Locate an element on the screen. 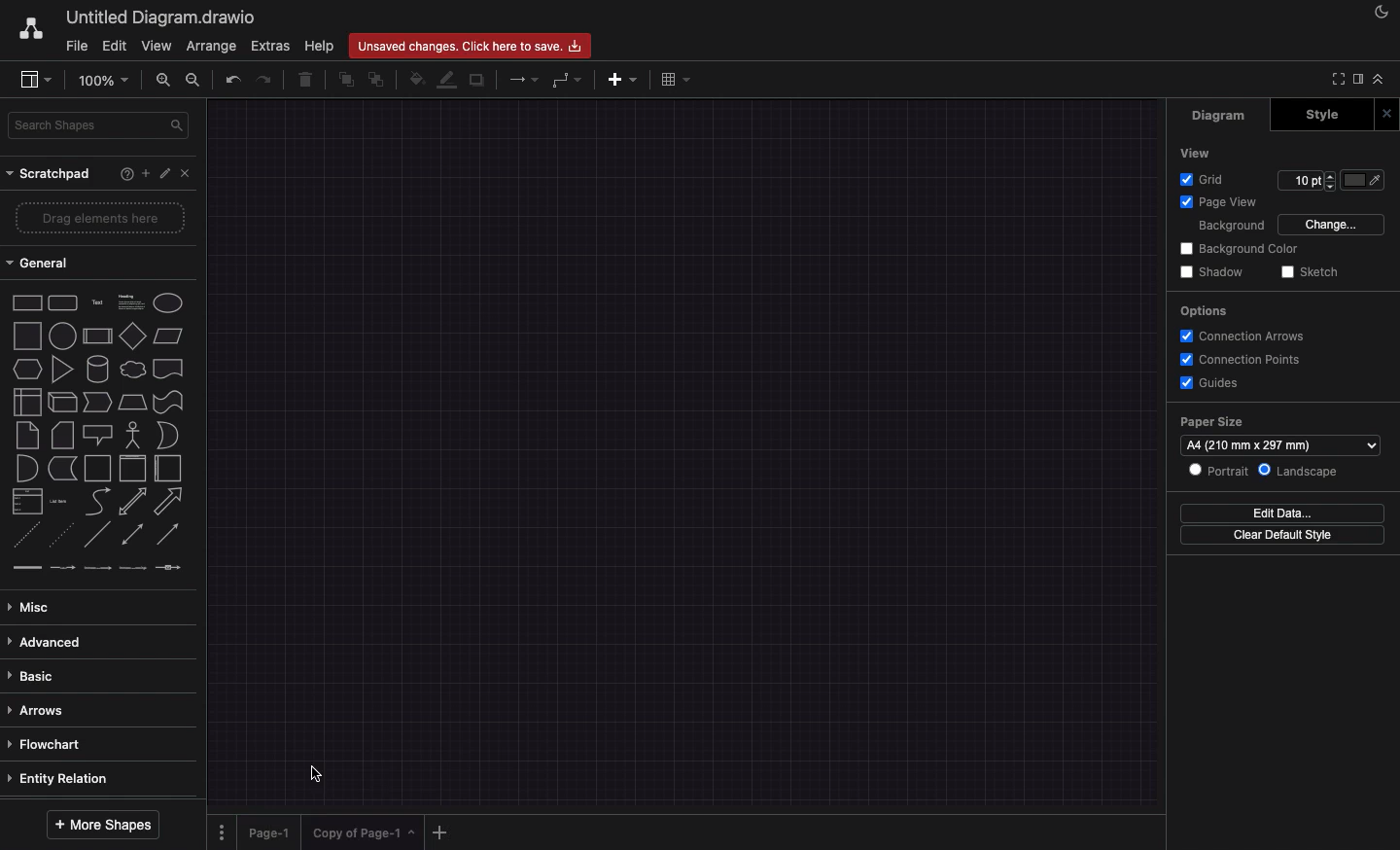 The image size is (1400, 850). full screen is located at coordinates (1339, 79).